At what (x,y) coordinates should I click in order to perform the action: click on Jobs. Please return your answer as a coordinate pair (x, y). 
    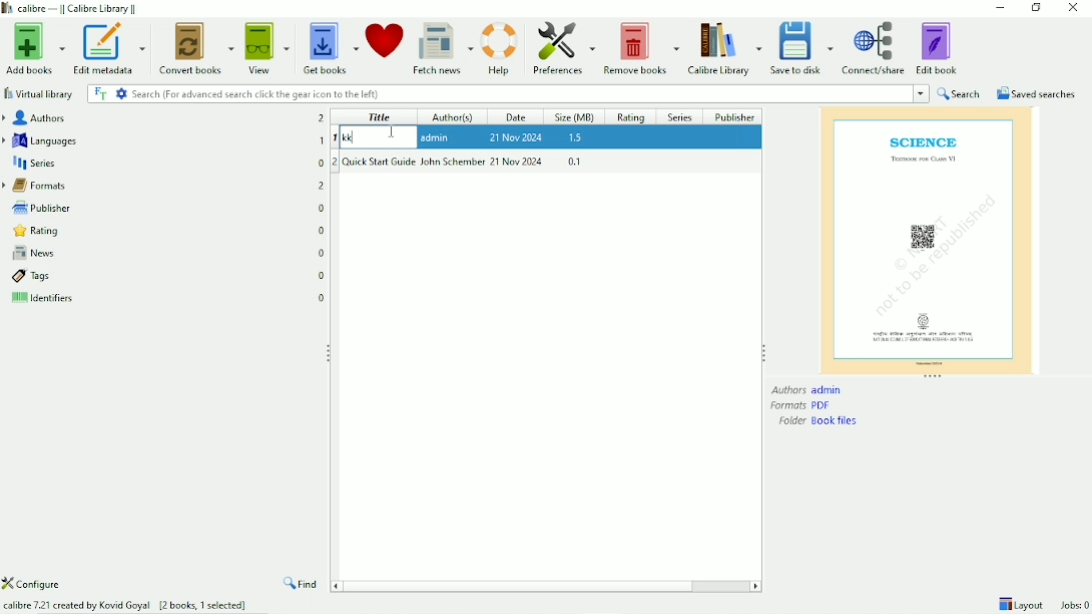
    Looking at the image, I should click on (1075, 605).